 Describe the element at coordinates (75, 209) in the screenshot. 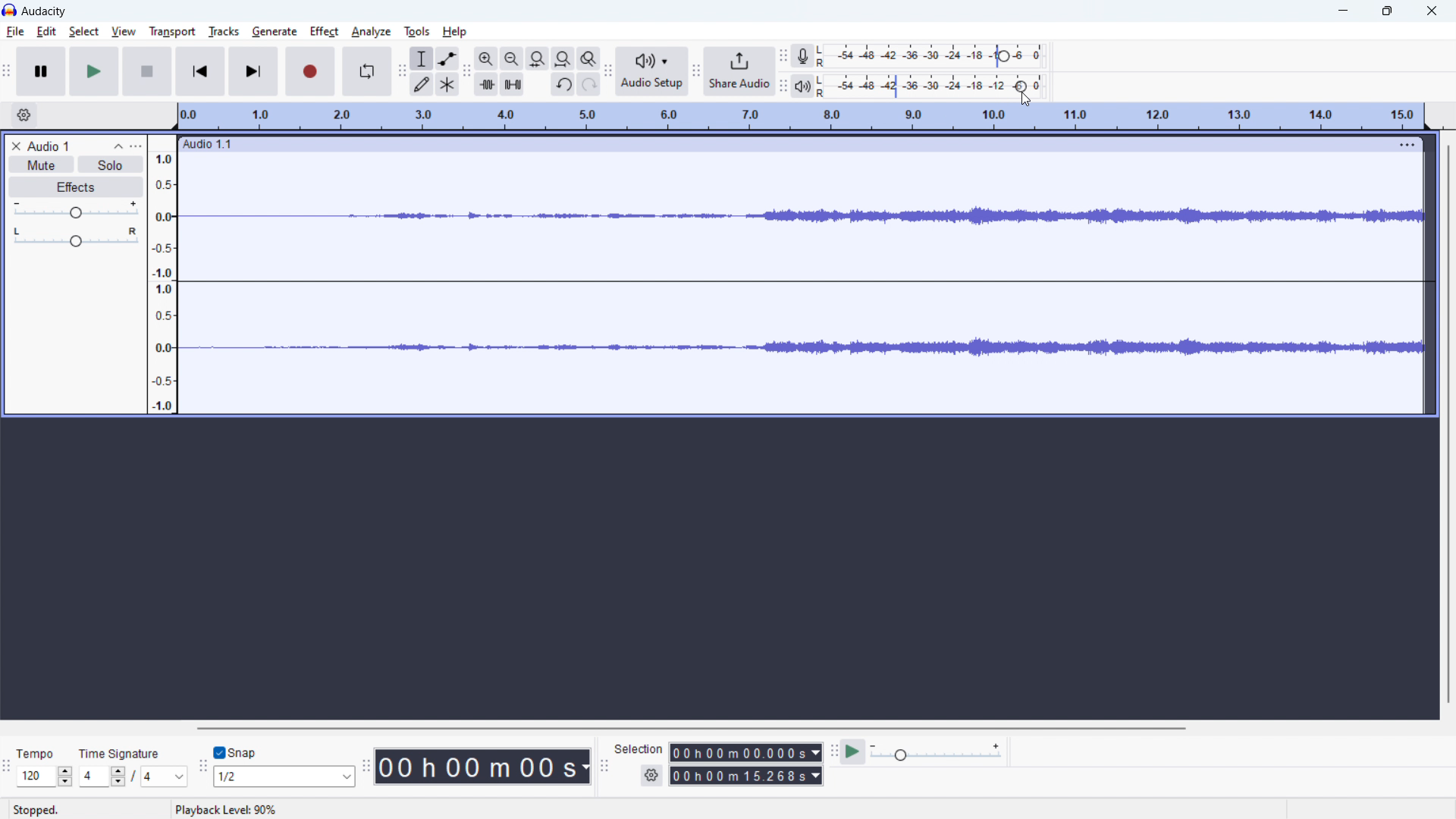

I see `volume` at that location.